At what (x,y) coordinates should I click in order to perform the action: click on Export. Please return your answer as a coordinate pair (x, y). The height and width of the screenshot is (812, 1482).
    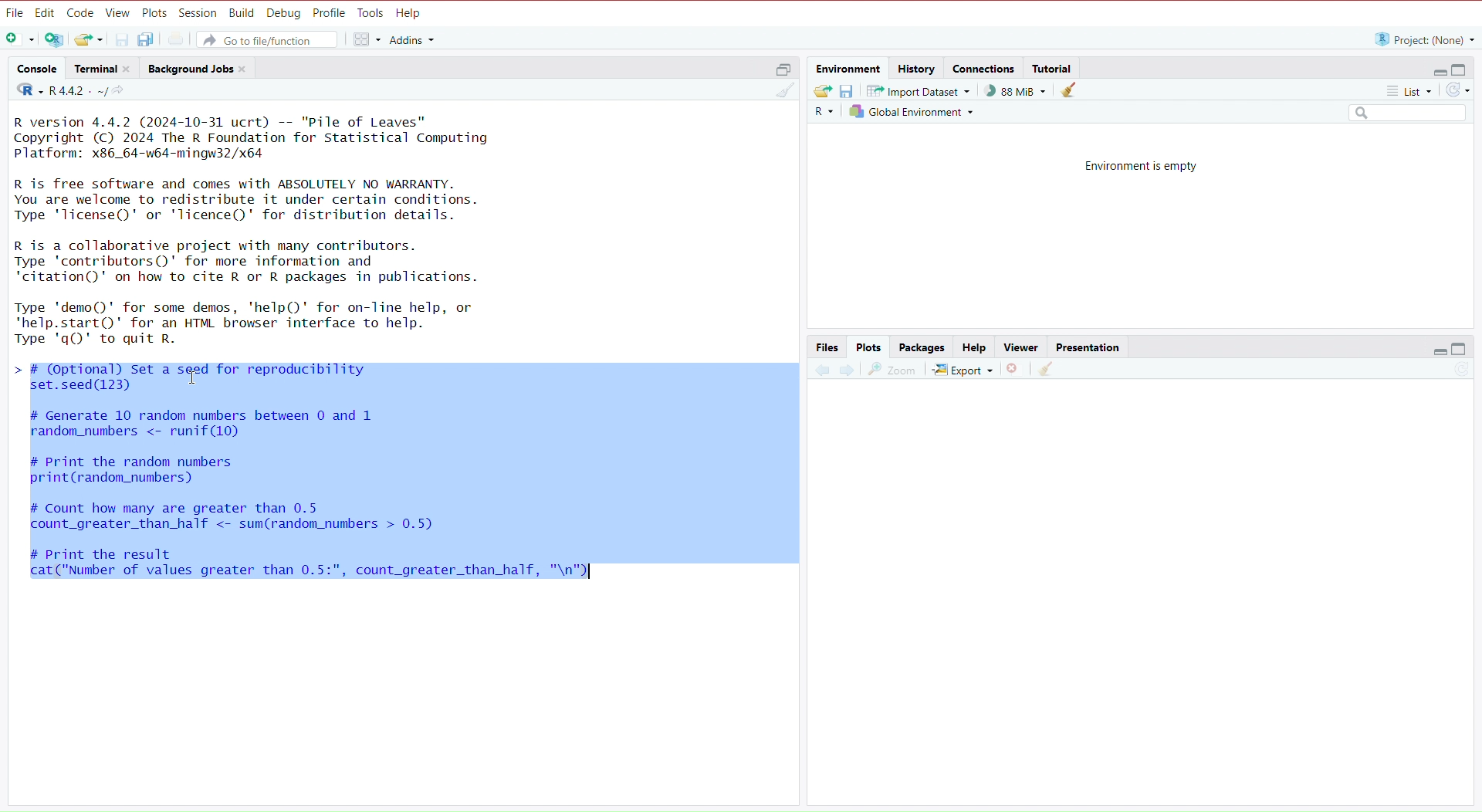
    Looking at the image, I should click on (963, 370).